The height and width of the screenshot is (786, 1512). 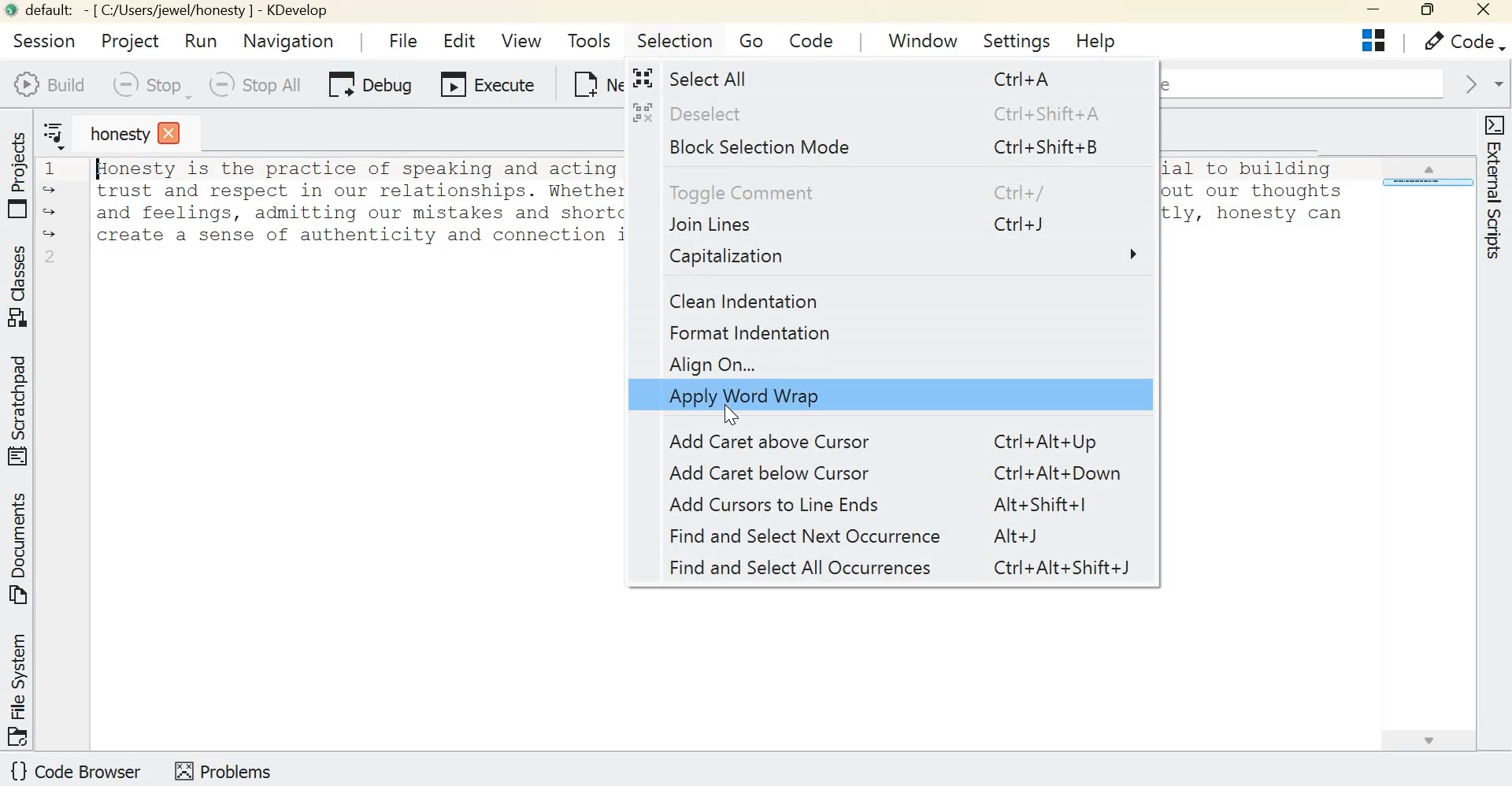 I want to click on Add caret above cursor, so click(x=892, y=443).